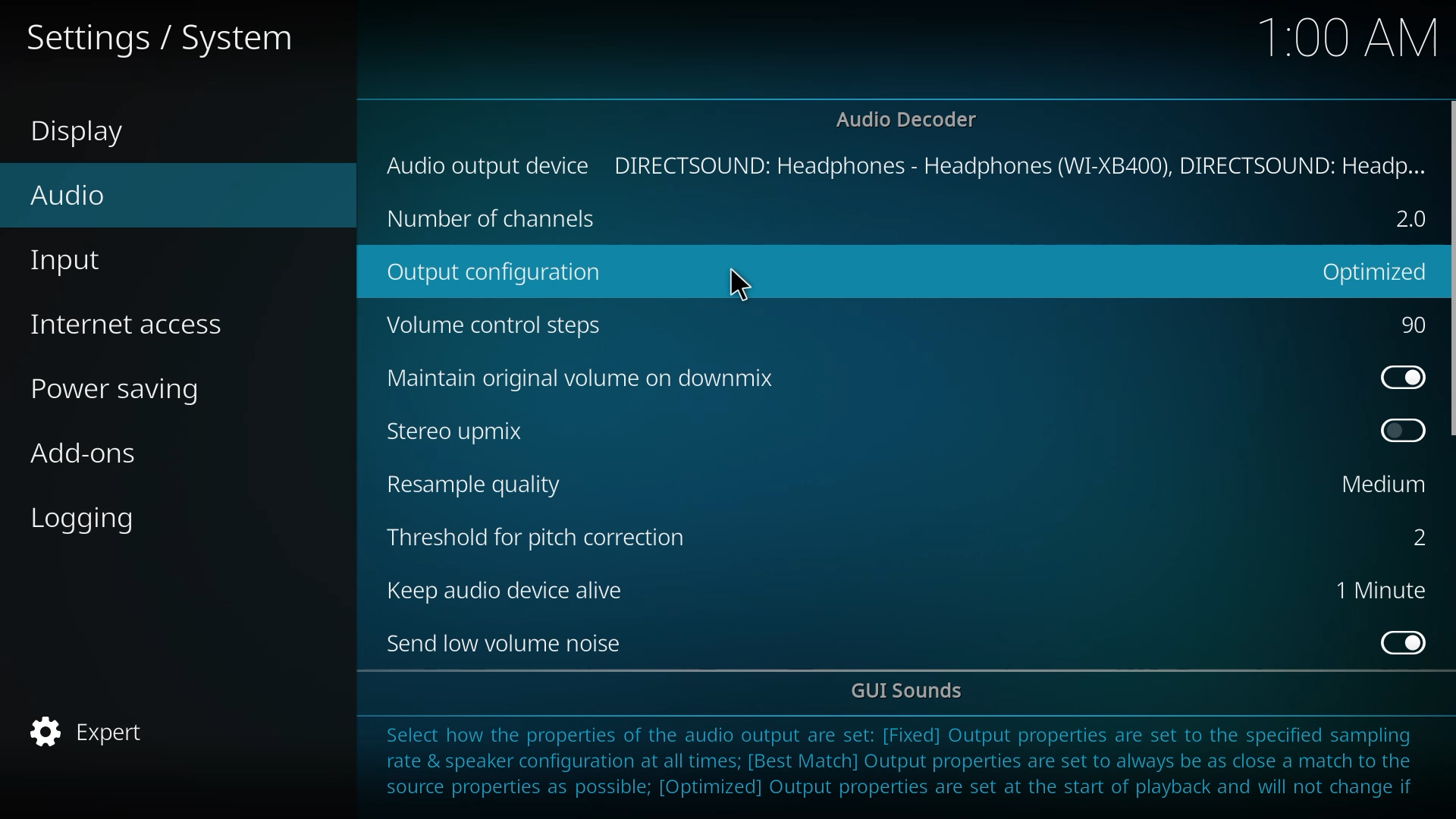  Describe the element at coordinates (1373, 485) in the screenshot. I see `medium` at that location.